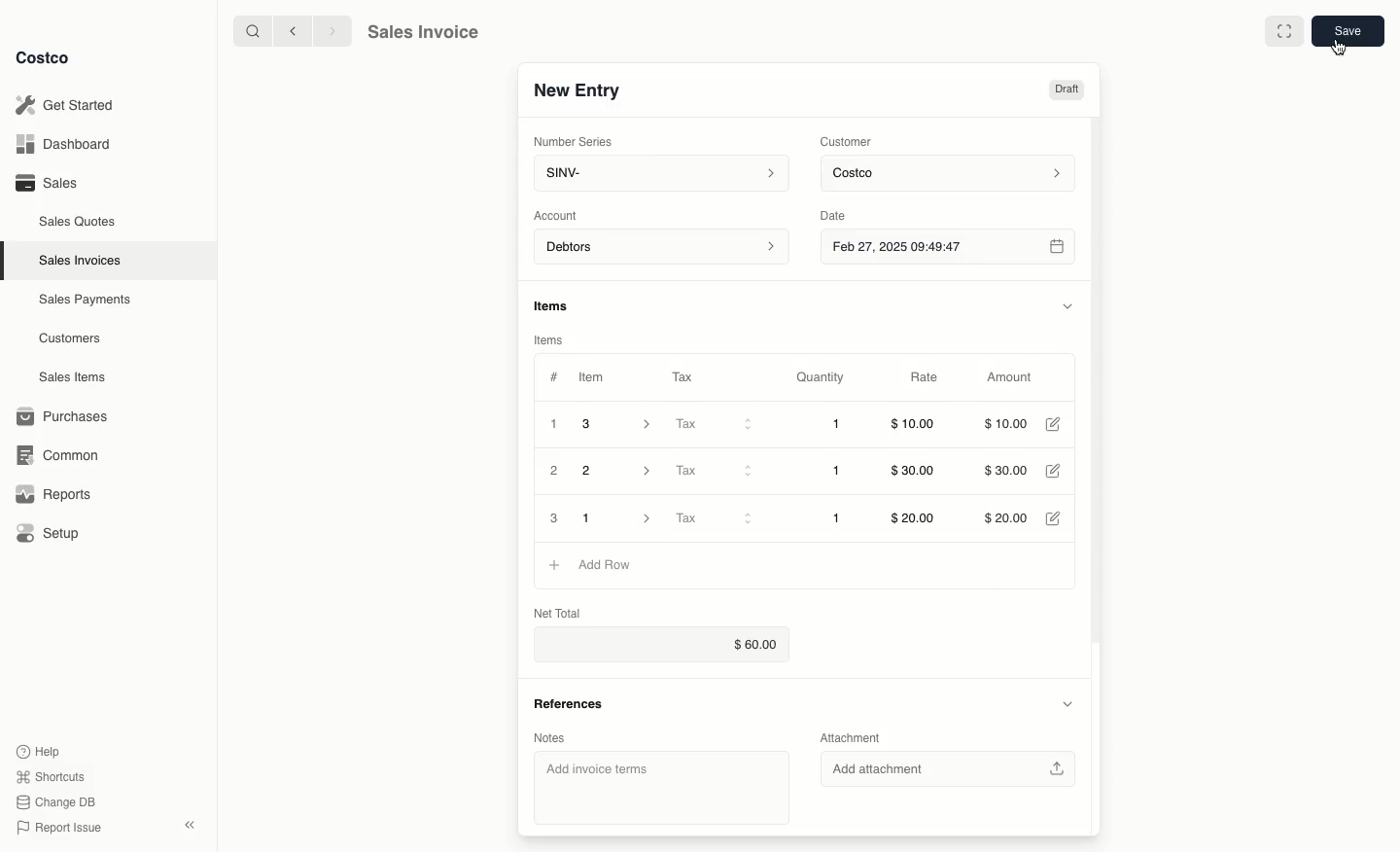 The height and width of the screenshot is (852, 1400). What do you see at coordinates (561, 611) in the screenshot?
I see `Net Total` at bounding box center [561, 611].